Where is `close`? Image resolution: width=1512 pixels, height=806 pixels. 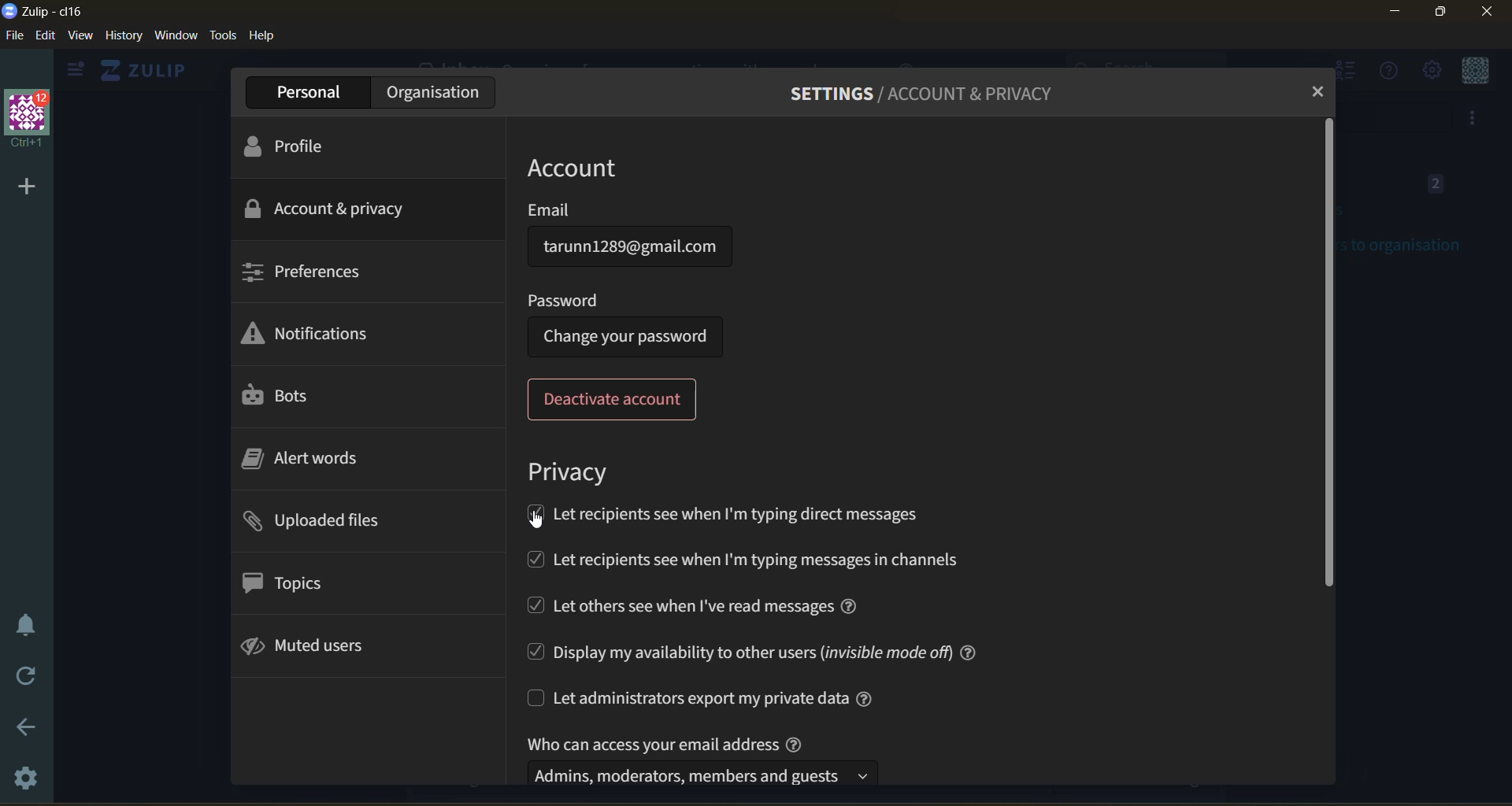 close is located at coordinates (1490, 12).